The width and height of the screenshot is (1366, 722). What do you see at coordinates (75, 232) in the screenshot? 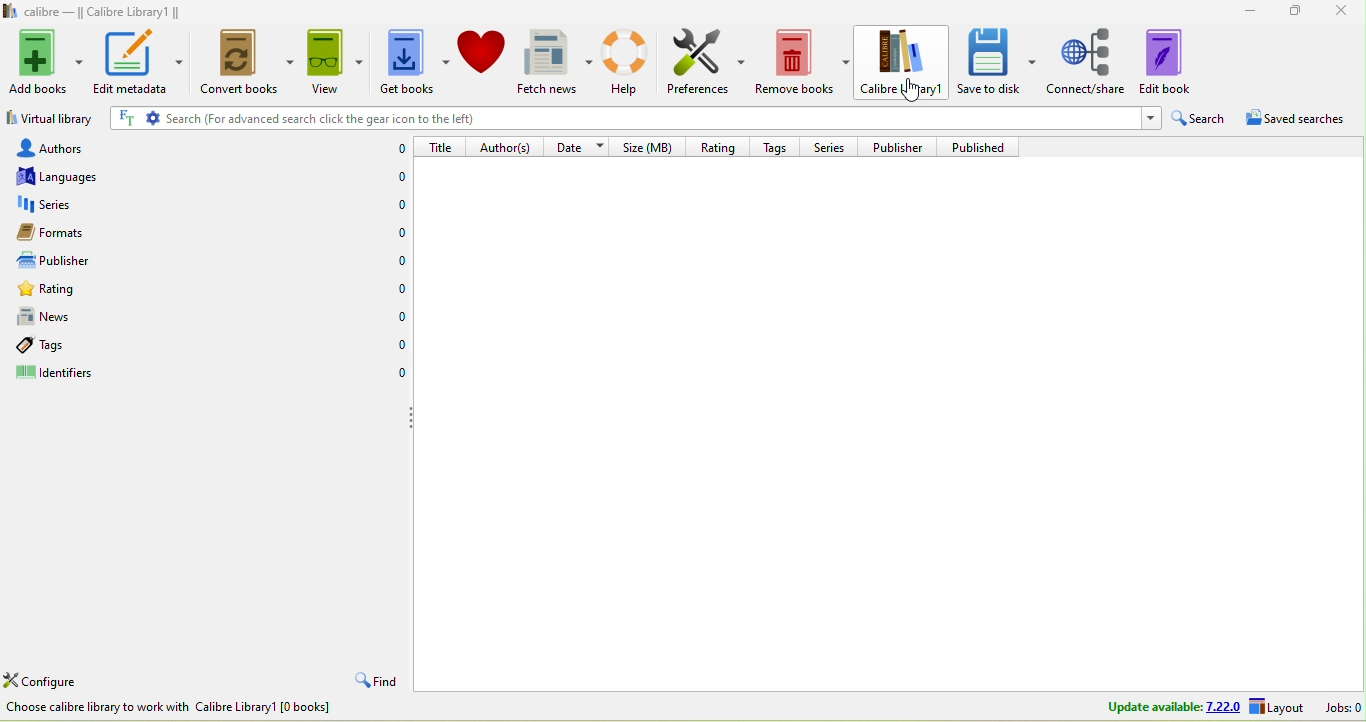
I see `formats` at bounding box center [75, 232].